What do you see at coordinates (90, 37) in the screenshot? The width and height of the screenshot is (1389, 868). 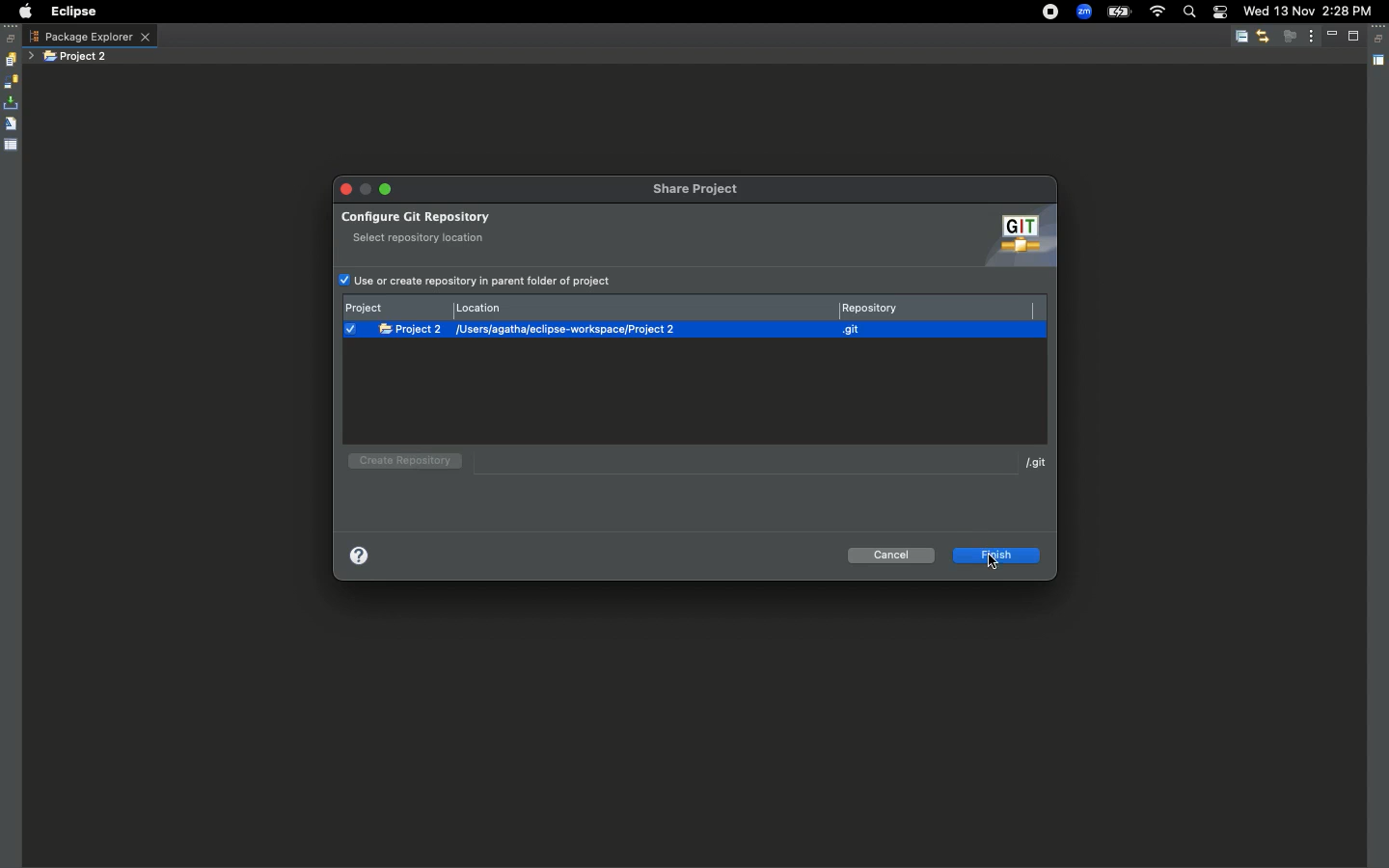 I see `Package explorer` at bounding box center [90, 37].